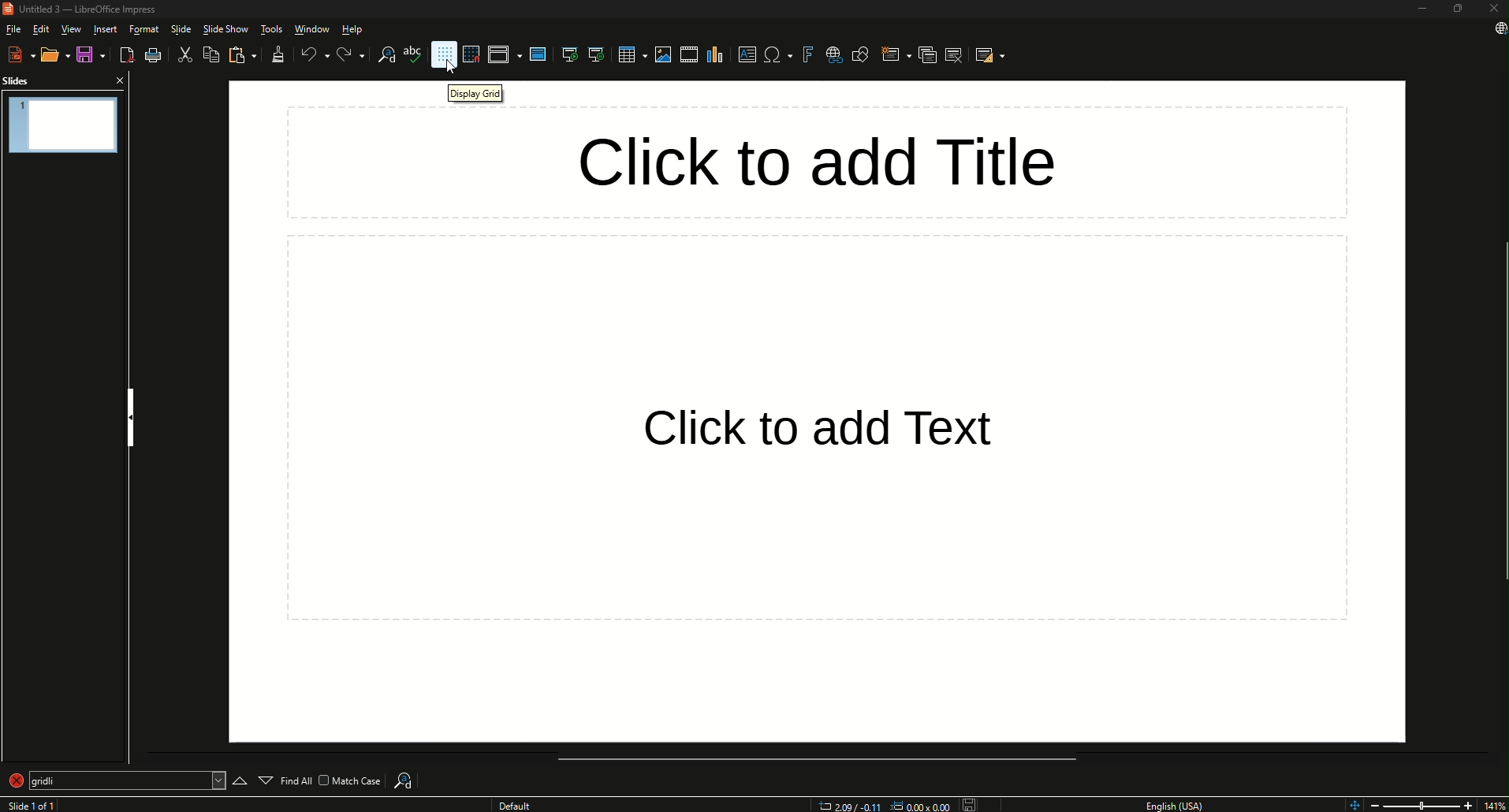 The height and width of the screenshot is (812, 1509). Describe the element at coordinates (63, 123) in the screenshot. I see `Slide Preview` at that location.